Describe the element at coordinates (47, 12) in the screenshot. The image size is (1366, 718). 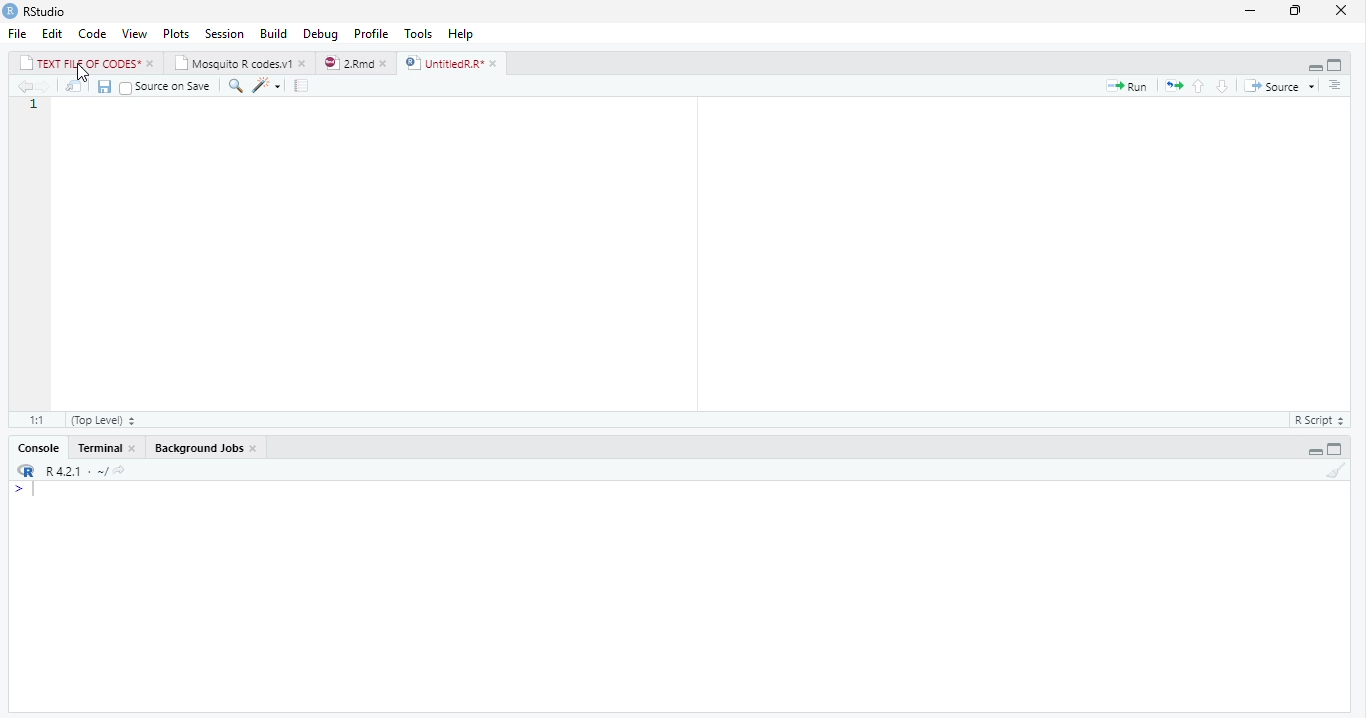
I see `RStudio` at that location.